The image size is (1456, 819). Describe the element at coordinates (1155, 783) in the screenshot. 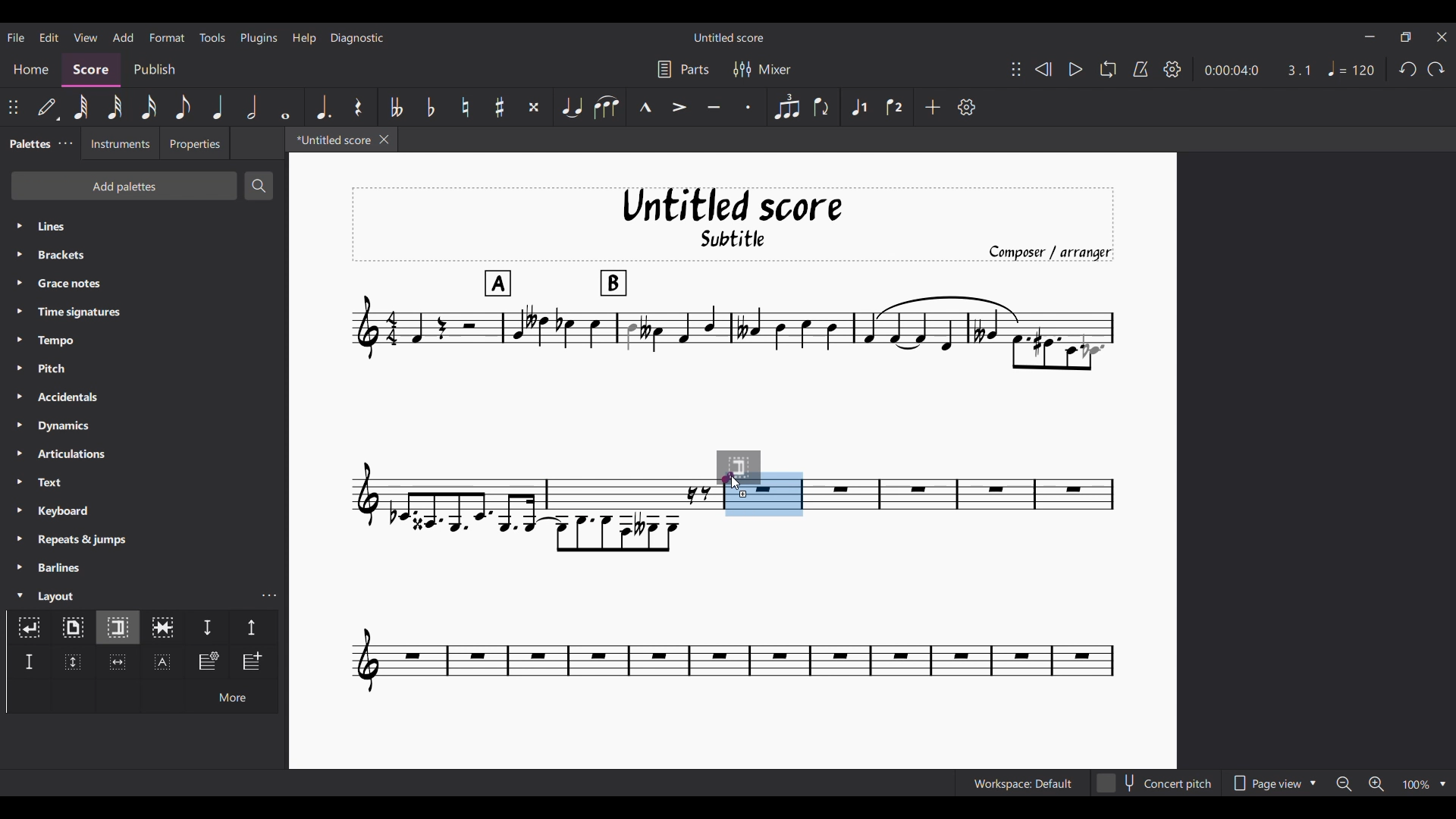

I see `Concert pitch toggle` at that location.